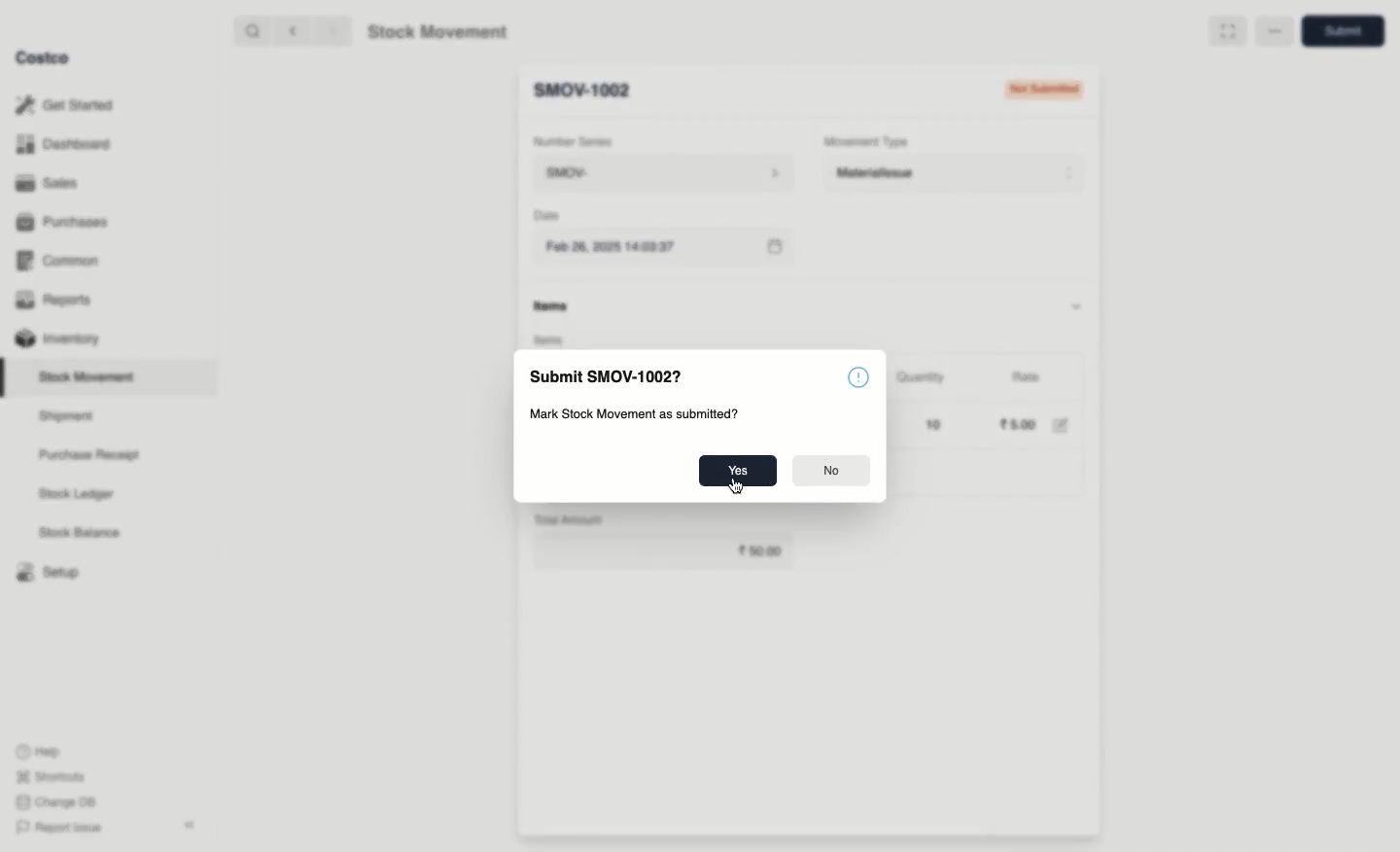 This screenshot has height=852, width=1400. What do you see at coordinates (56, 802) in the screenshot?
I see `Change DB` at bounding box center [56, 802].